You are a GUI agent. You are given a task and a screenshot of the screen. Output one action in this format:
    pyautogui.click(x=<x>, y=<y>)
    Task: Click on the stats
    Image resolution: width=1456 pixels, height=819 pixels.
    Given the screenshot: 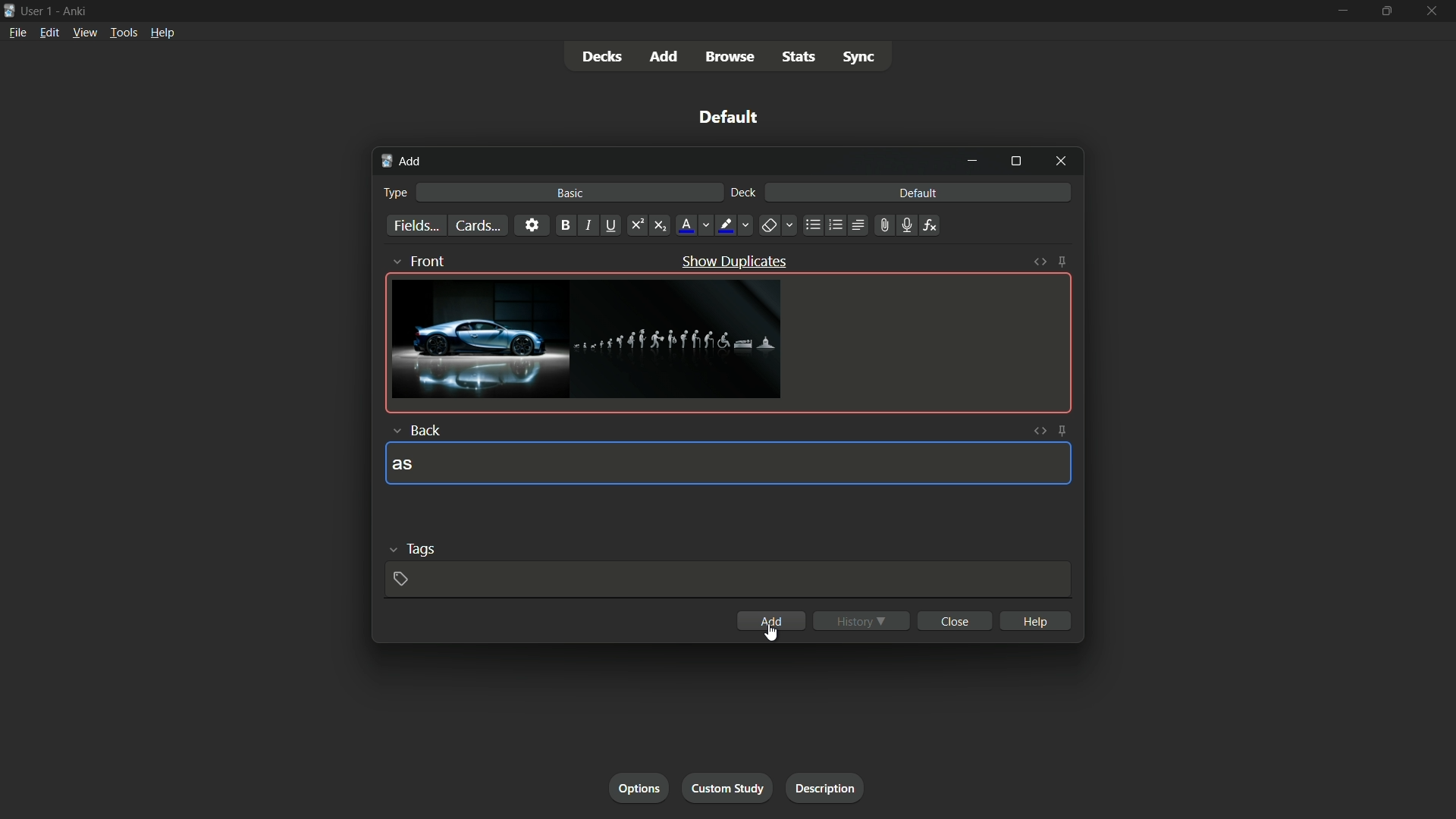 What is the action you would take?
    pyautogui.click(x=799, y=58)
    